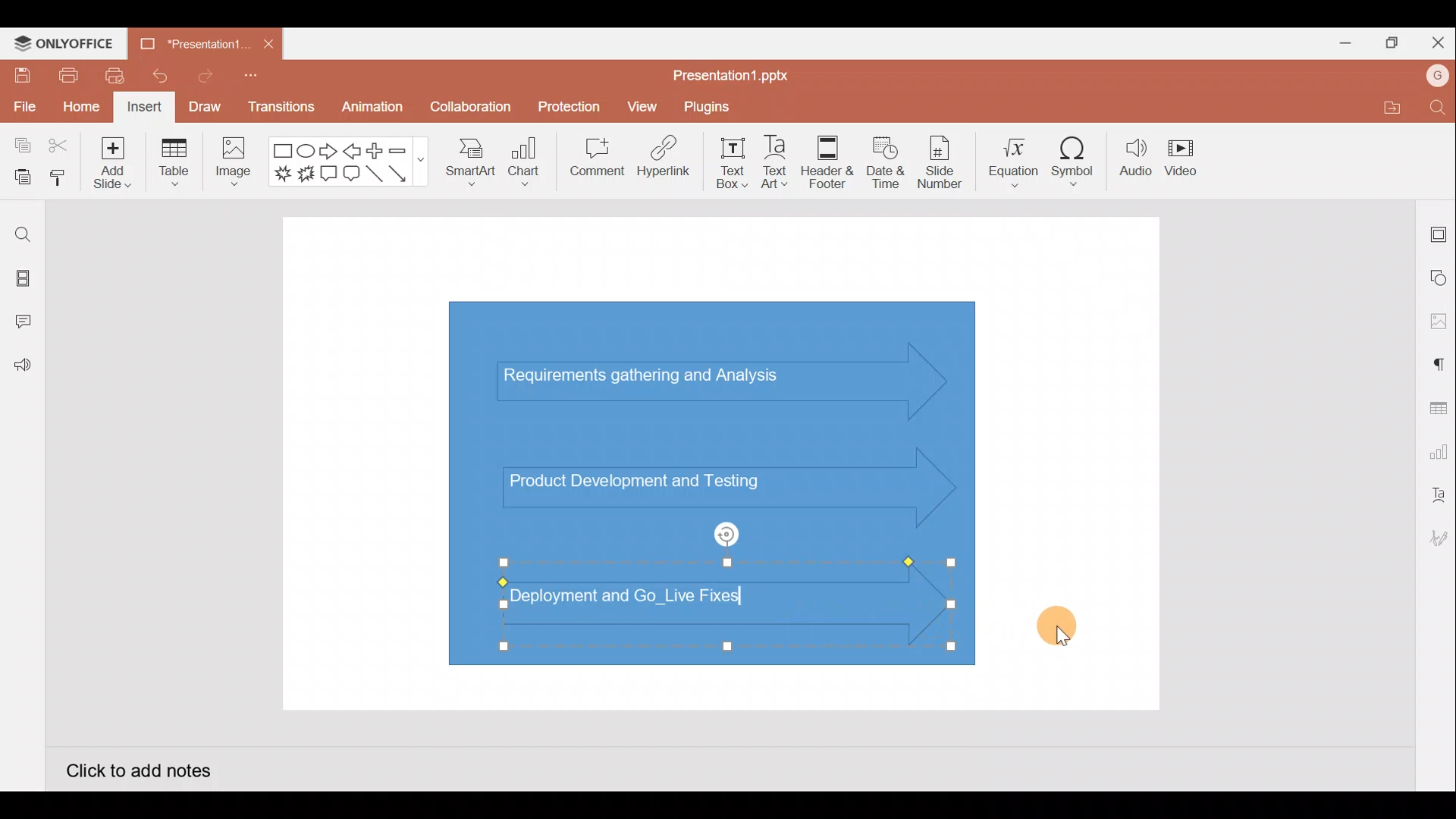 The height and width of the screenshot is (819, 1456). What do you see at coordinates (651, 479) in the screenshot?
I see `Text (Product Development and Testing) on 2nd inserted arrow` at bounding box center [651, 479].